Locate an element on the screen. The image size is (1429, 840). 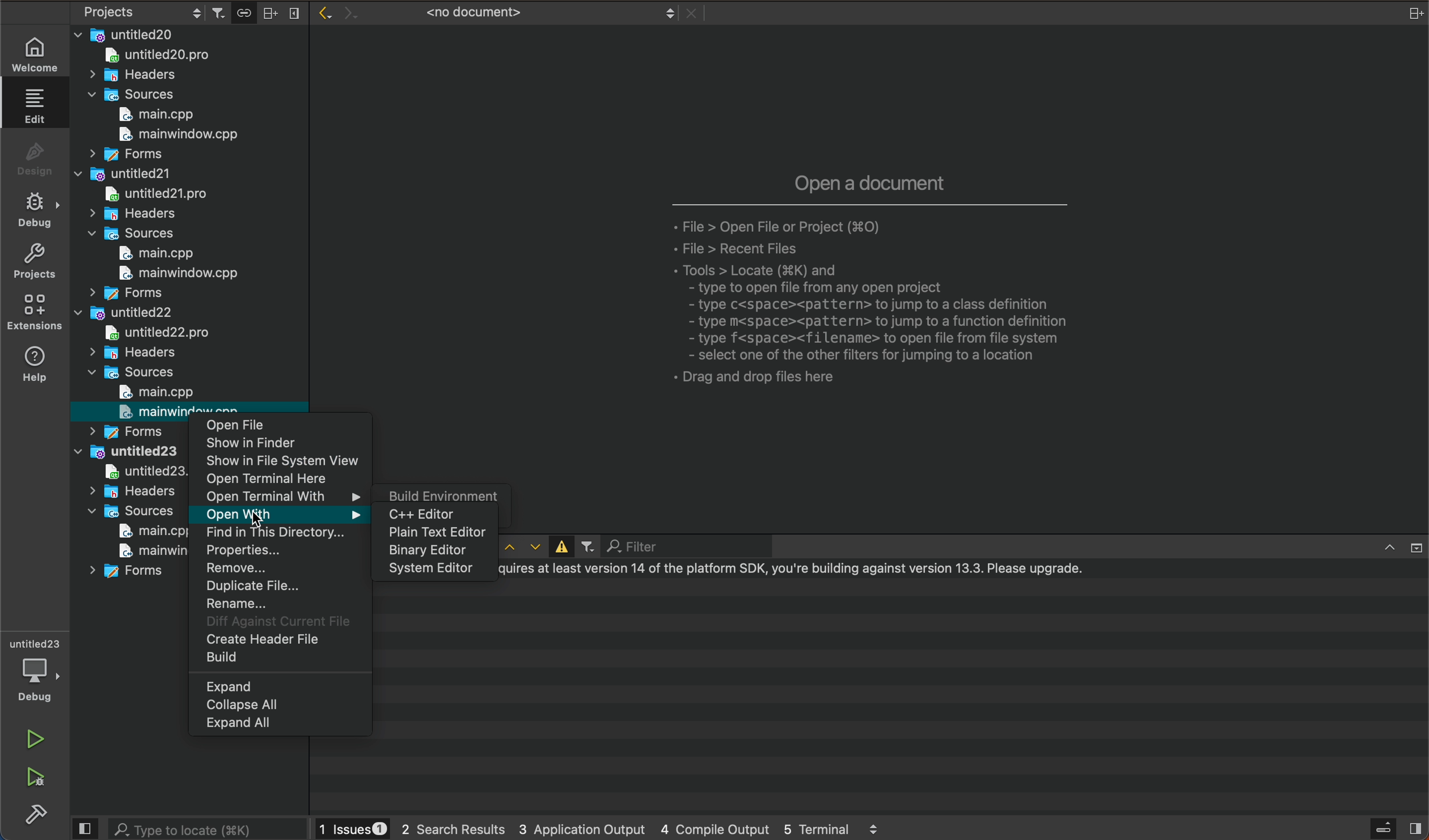
rename is located at coordinates (280, 604).